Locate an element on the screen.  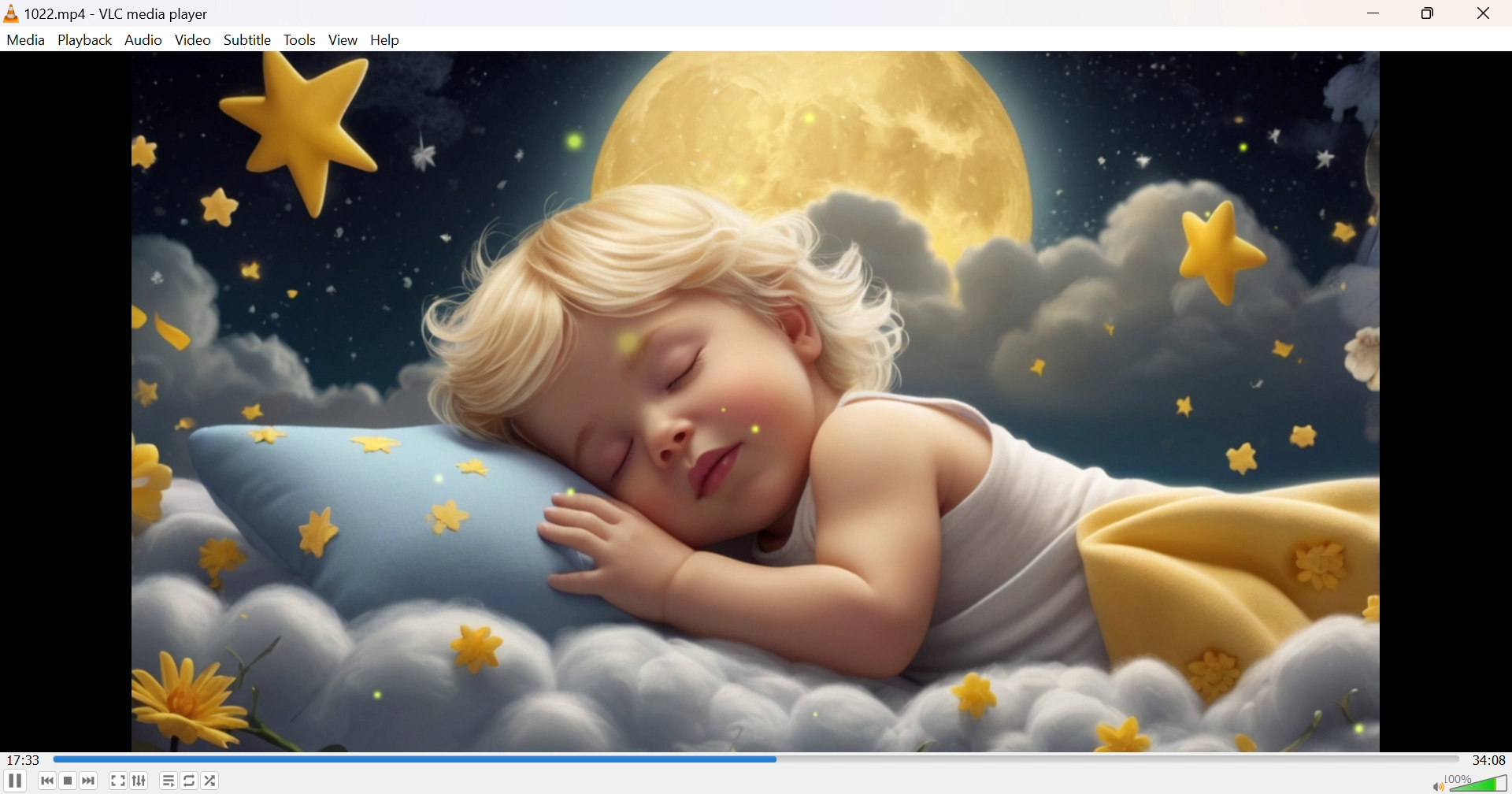
video is located at coordinates (754, 402).